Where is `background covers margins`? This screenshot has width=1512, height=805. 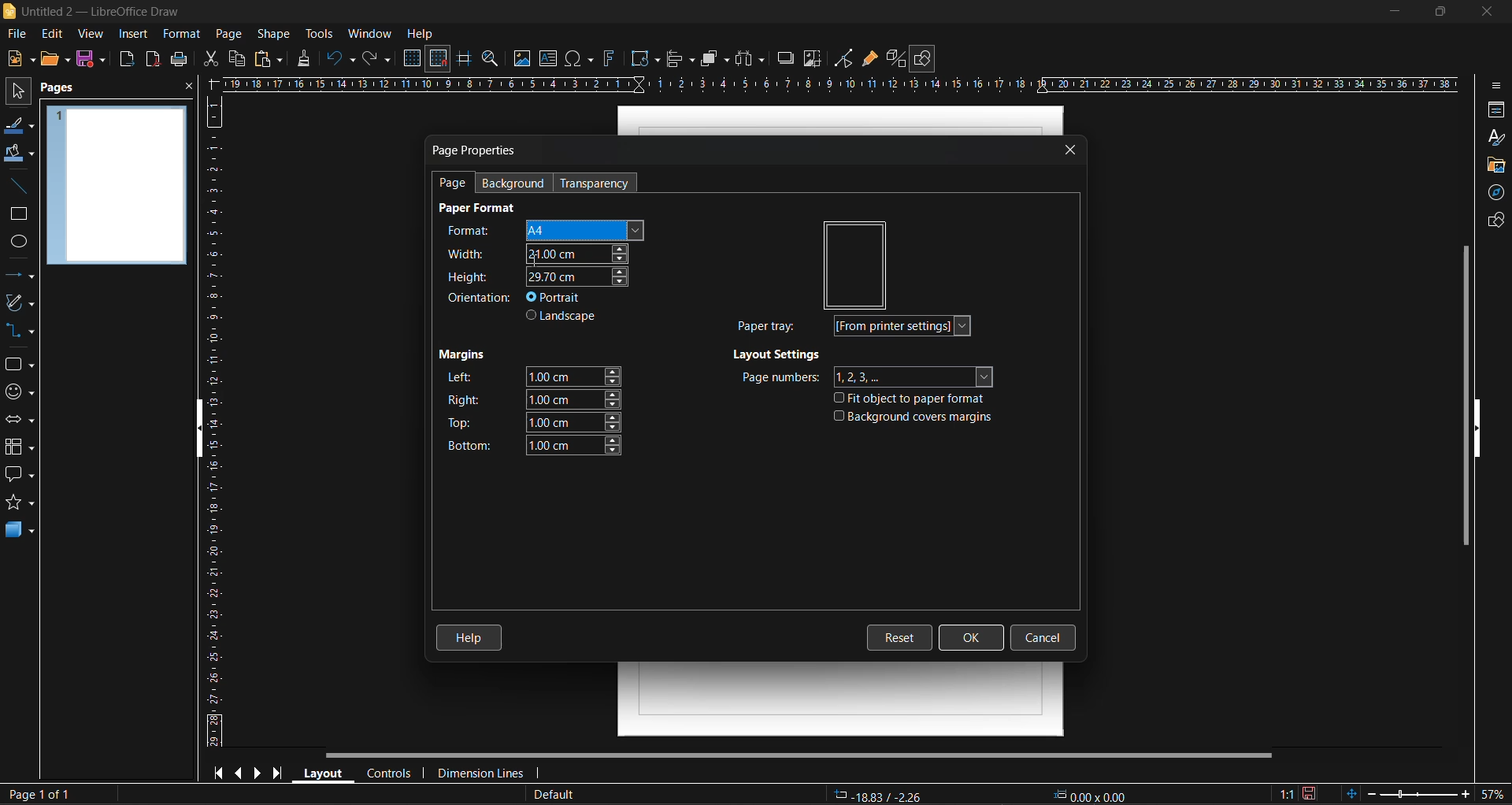 background covers margins is located at coordinates (913, 419).